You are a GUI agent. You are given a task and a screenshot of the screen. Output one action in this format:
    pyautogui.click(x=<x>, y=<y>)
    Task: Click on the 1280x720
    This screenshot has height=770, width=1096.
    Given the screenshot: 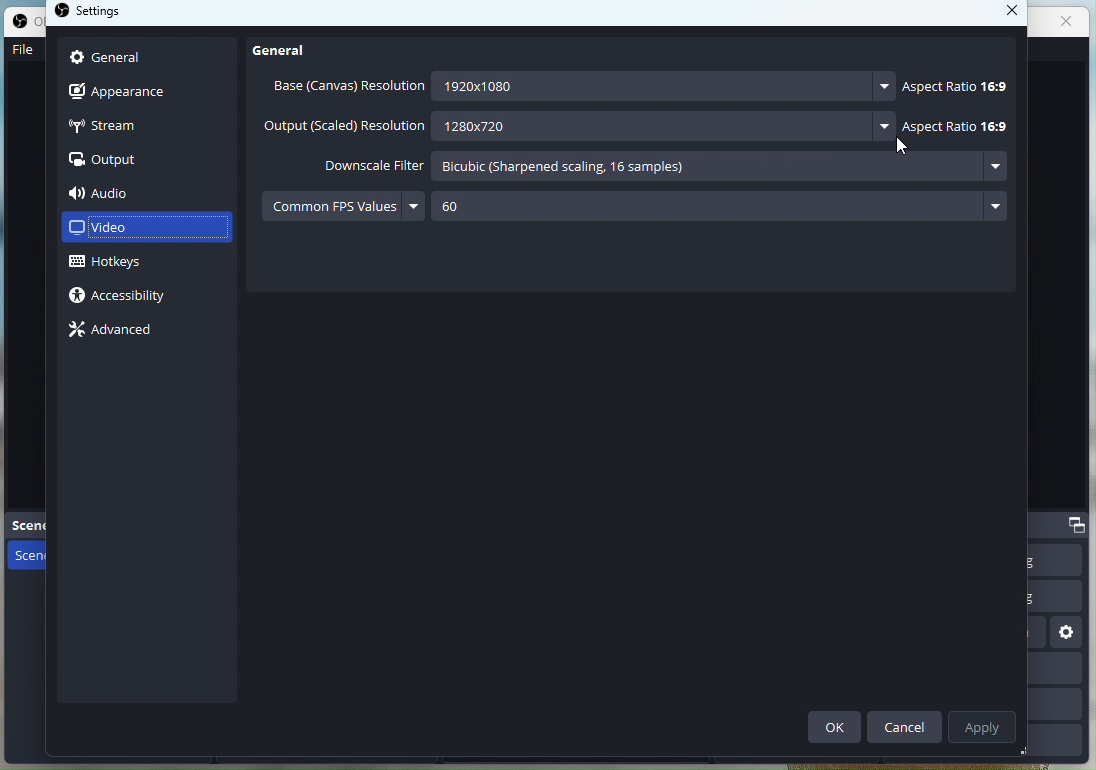 What is the action you would take?
    pyautogui.click(x=655, y=125)
    